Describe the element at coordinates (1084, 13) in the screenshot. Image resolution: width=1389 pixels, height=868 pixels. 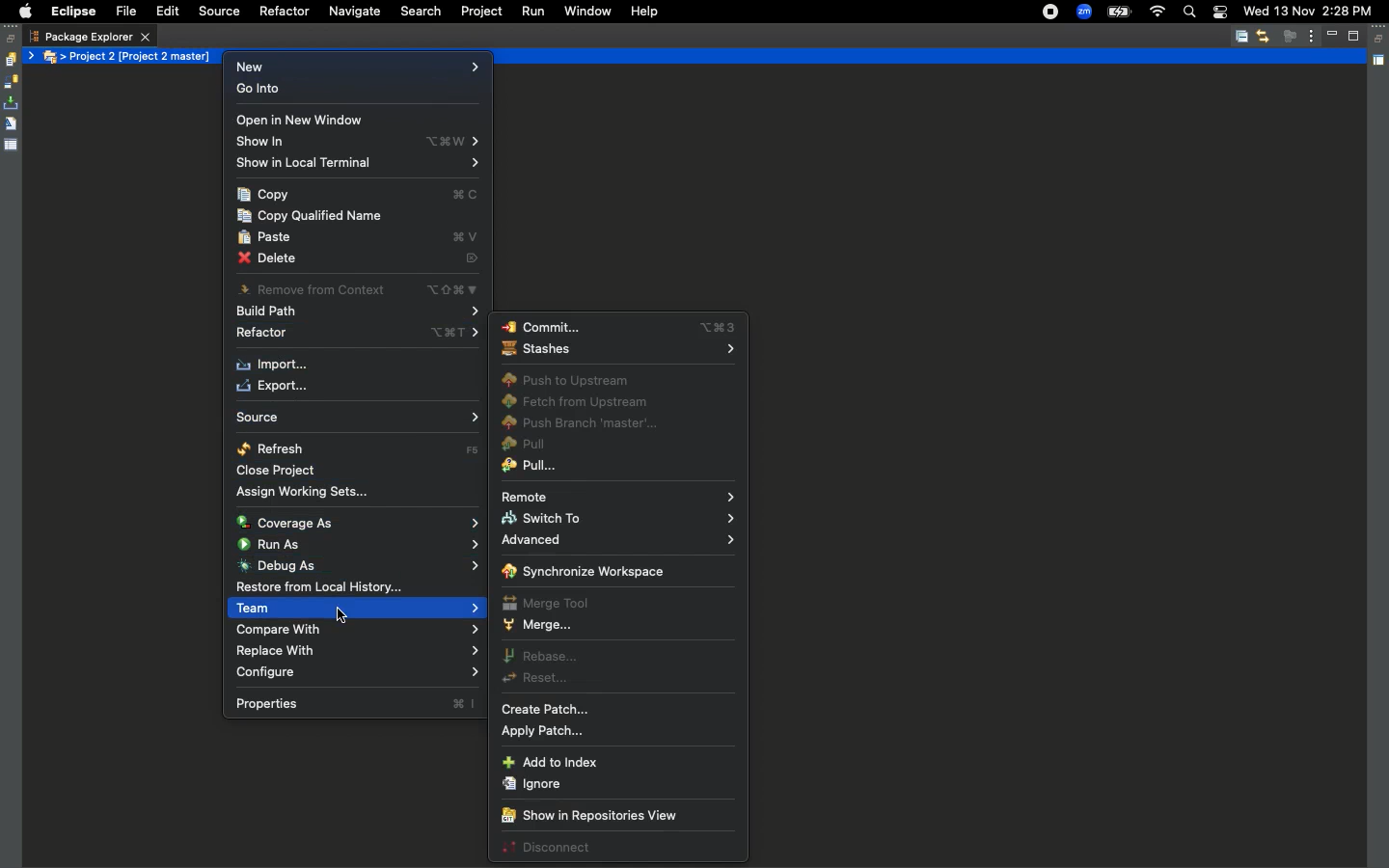
I see `Zoom` at that location.